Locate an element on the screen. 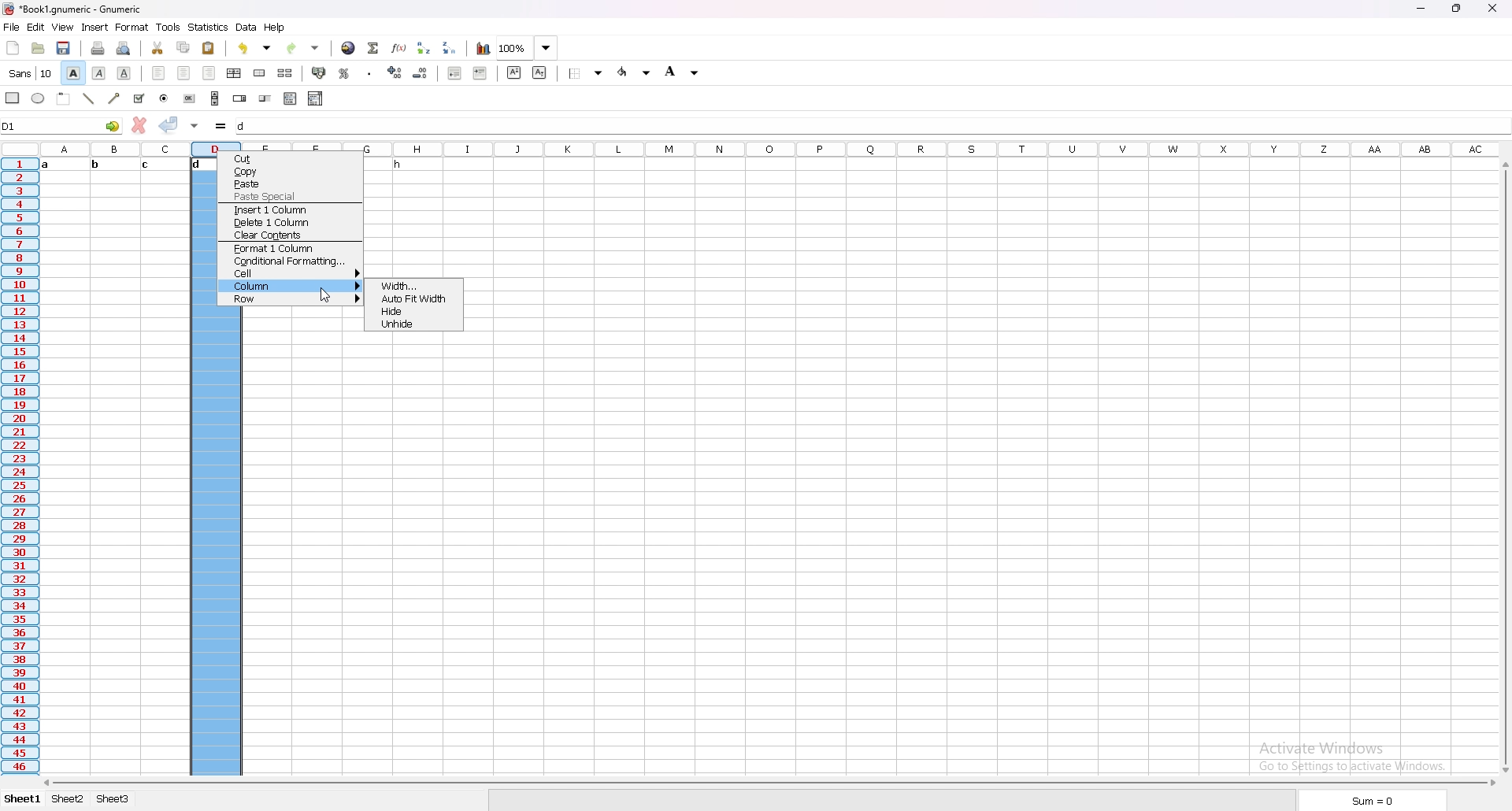  hyperlink is located at coordinates (348, 48).